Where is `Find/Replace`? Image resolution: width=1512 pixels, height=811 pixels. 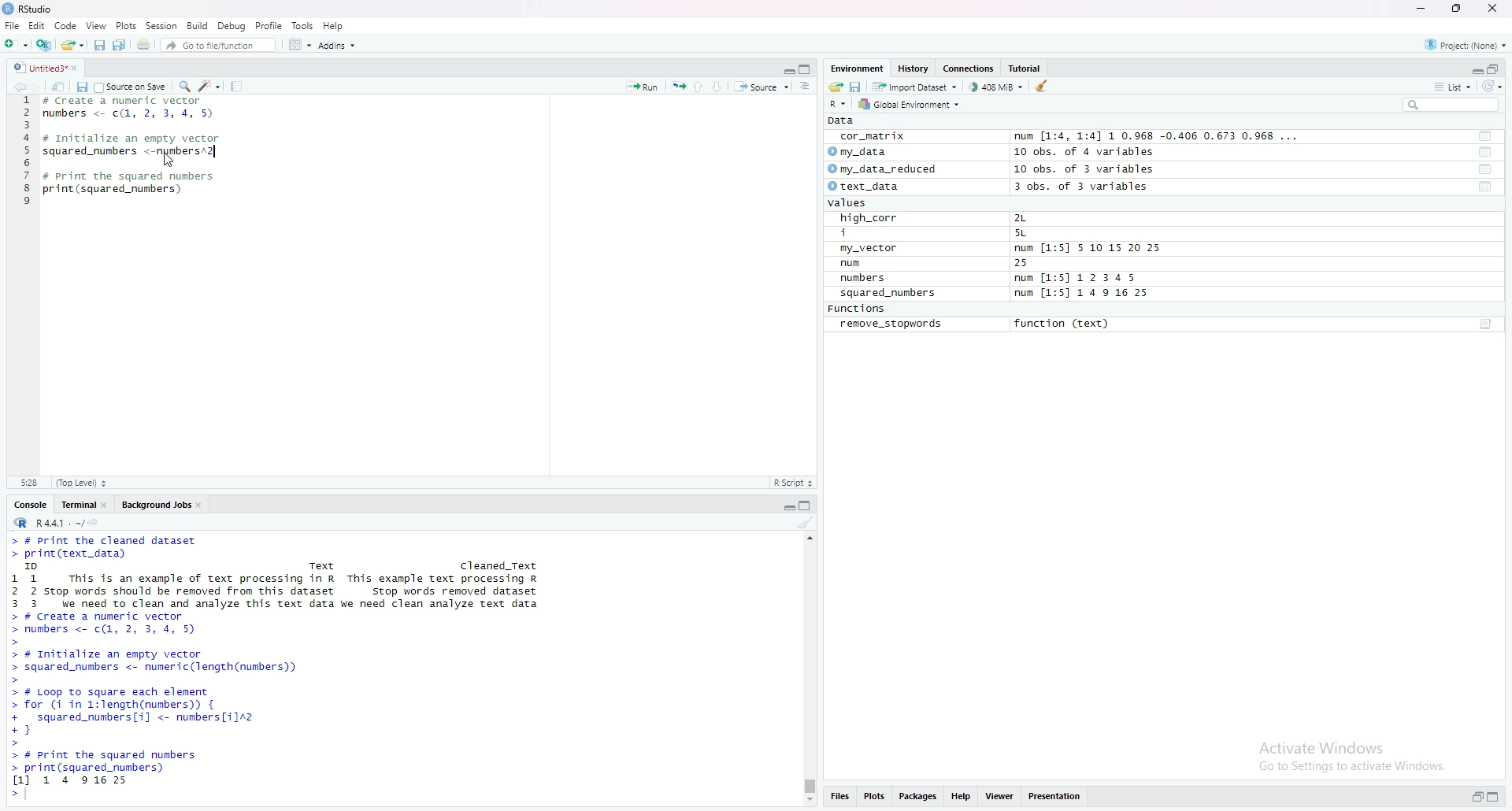
Find/Replace is located at coordinates (184, 85).